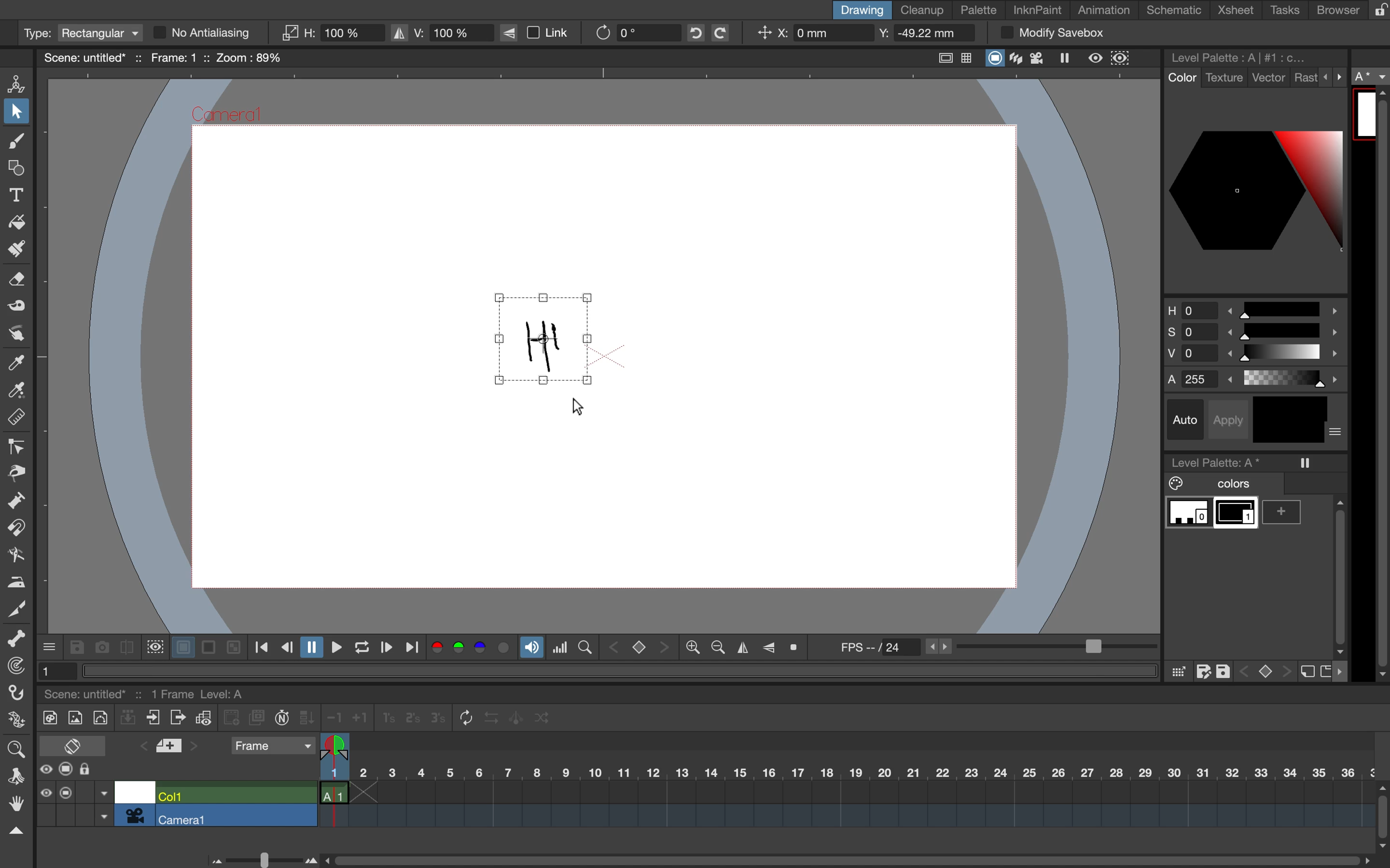  I want to click on color, so click(1180, 78).